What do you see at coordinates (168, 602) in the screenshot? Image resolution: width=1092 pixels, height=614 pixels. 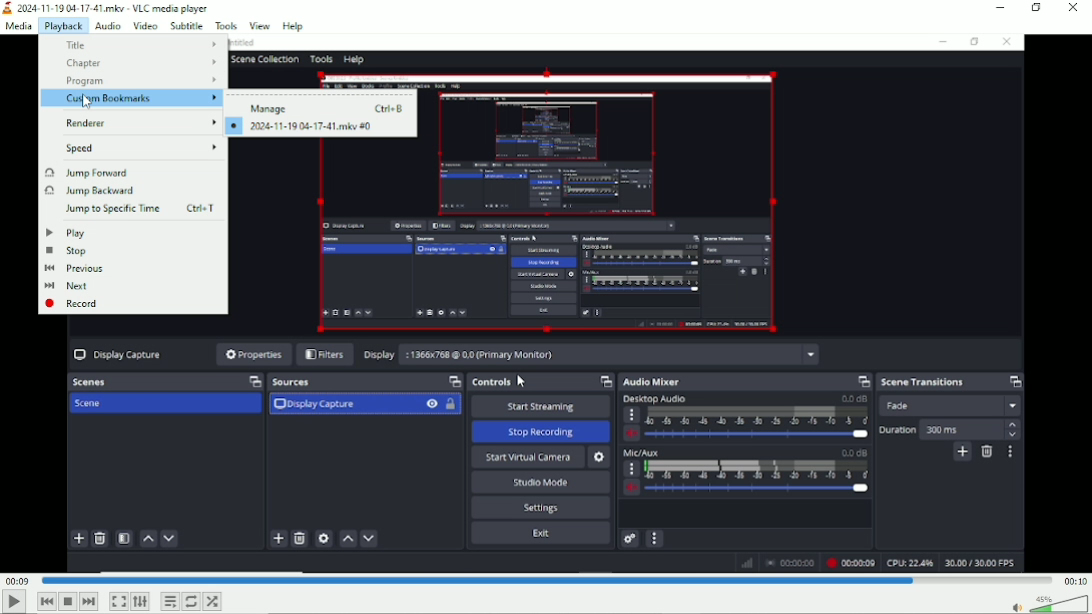 I see `Toggle playlist` at bounding box center [168, 602].